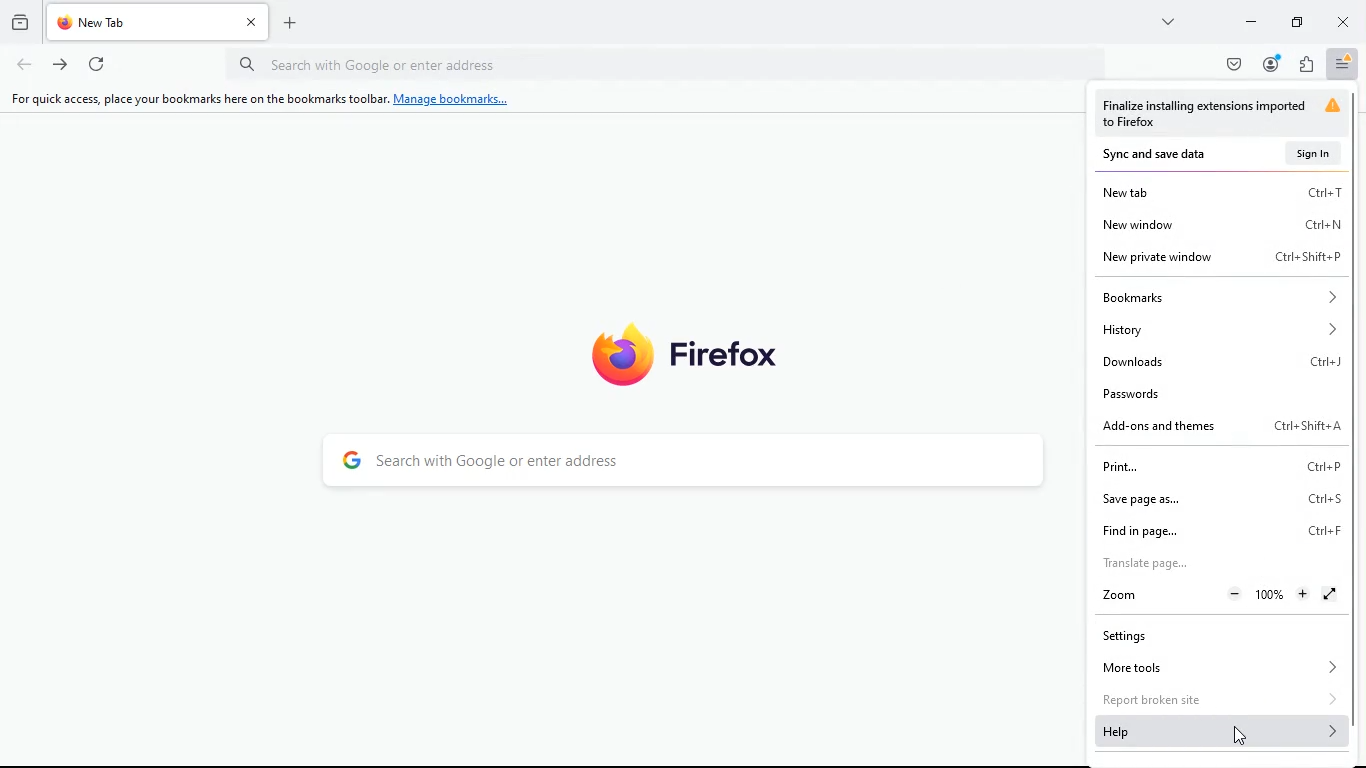  What do you see at coordinates (692, 465) in the screenshot?
I see `search` at bounding box center [692, 465].